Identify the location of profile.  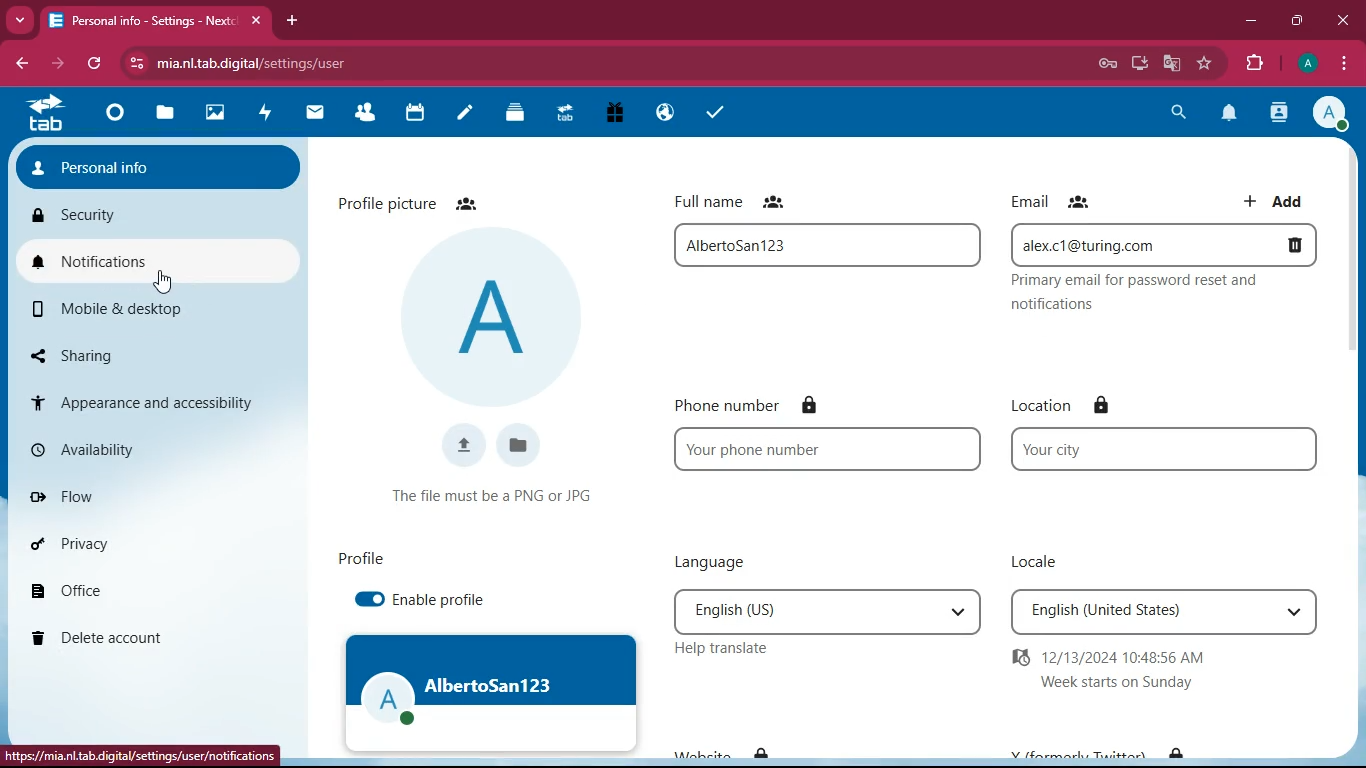
(1308, 64).